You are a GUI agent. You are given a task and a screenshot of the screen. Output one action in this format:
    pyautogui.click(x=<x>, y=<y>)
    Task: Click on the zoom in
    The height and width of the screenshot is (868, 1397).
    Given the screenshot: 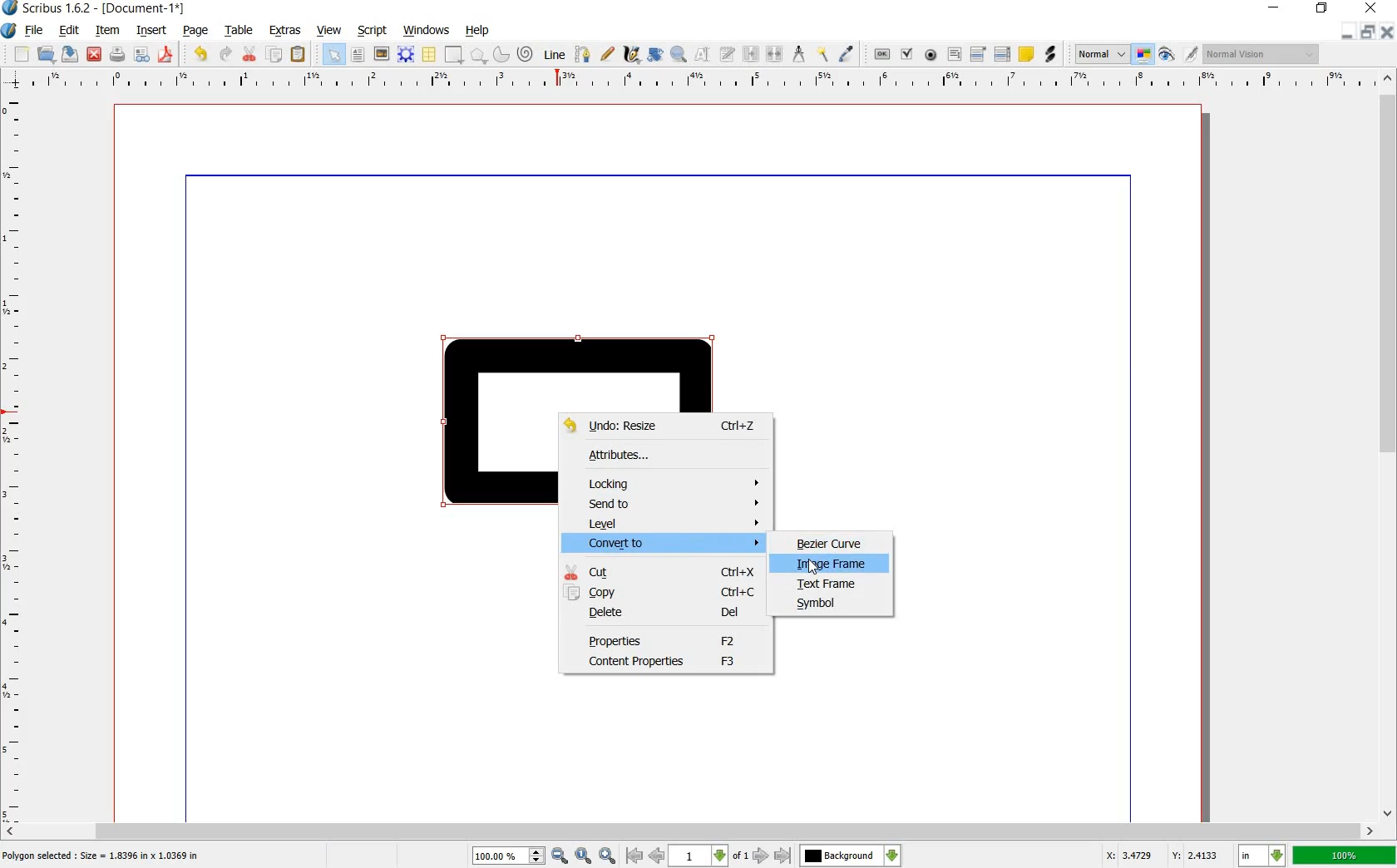 What is the action you would take?
    pyautogui.click(x=521, y=855)
    